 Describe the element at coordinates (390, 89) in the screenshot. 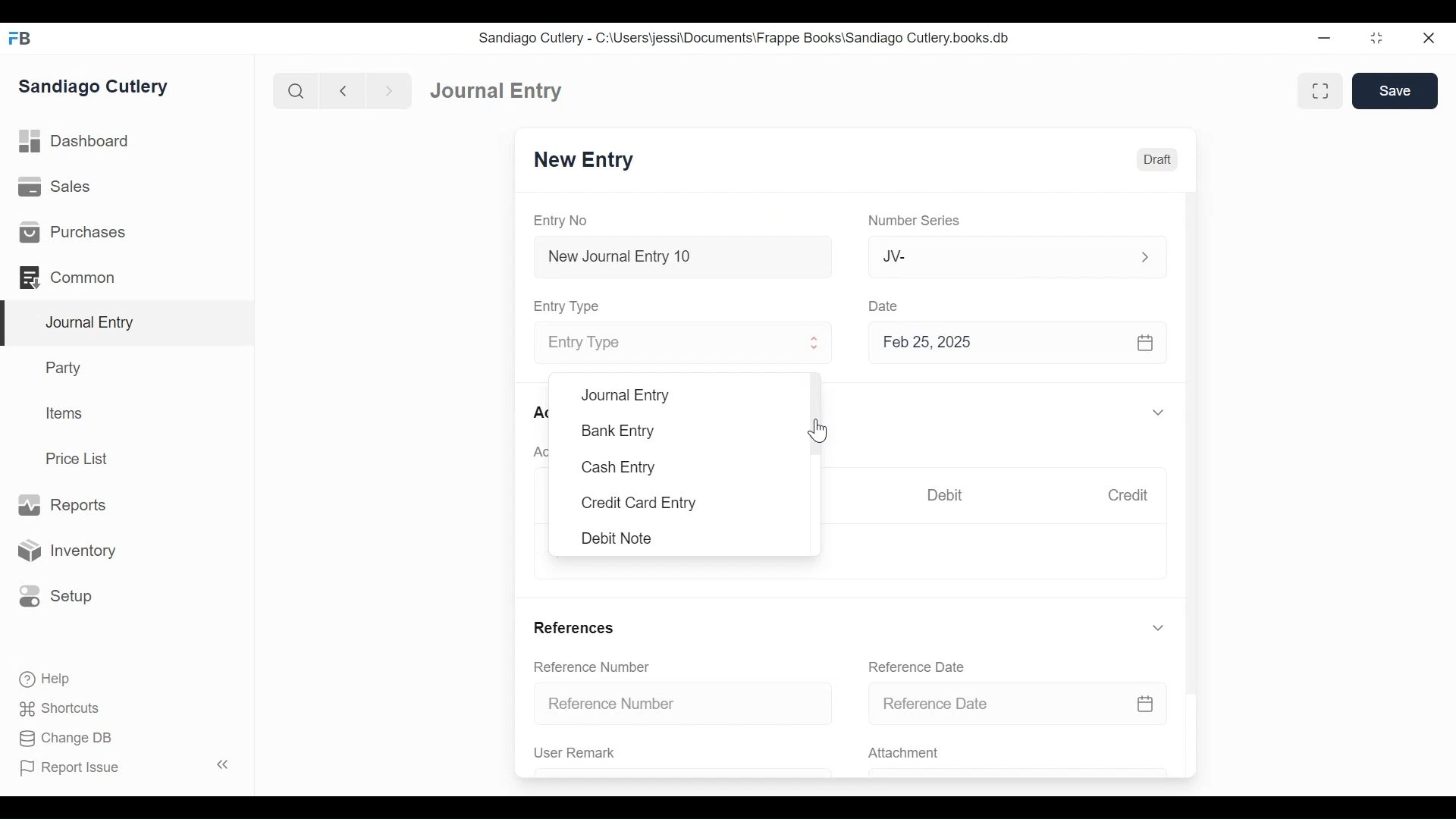

I see `Navigate Forward` at that location.